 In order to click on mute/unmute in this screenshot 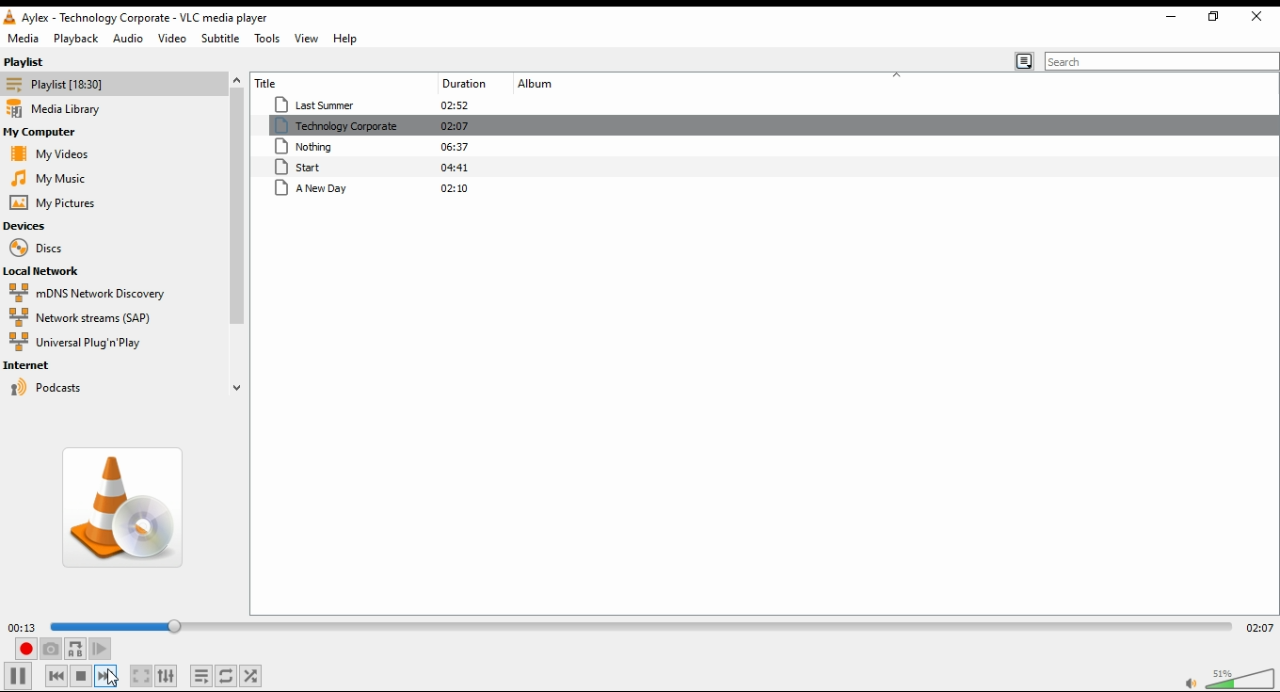, I will do `click(1184, 682)`.